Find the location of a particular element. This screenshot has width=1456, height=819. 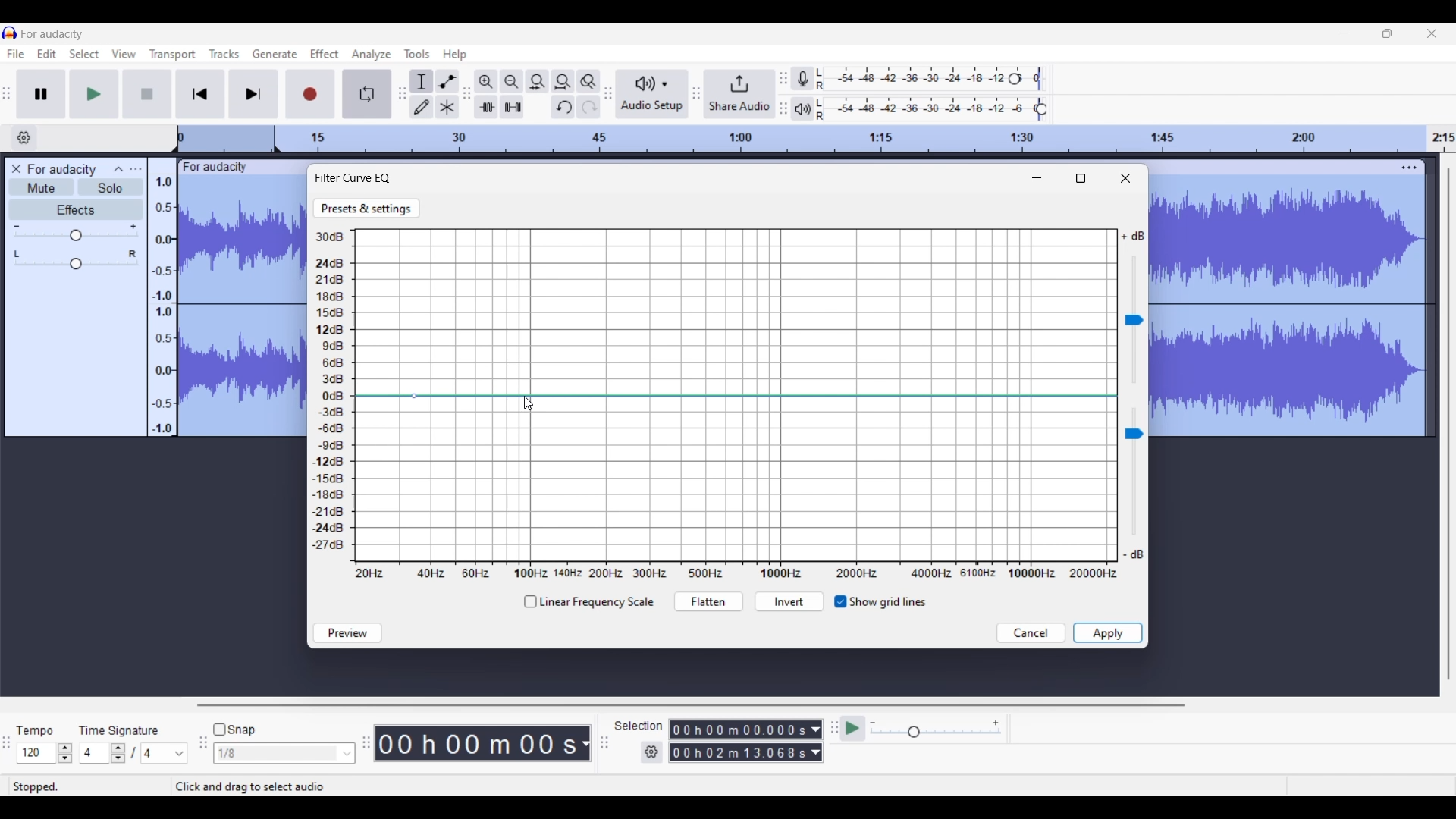

Indicates min. sound is located at coordinates (1133, 554).